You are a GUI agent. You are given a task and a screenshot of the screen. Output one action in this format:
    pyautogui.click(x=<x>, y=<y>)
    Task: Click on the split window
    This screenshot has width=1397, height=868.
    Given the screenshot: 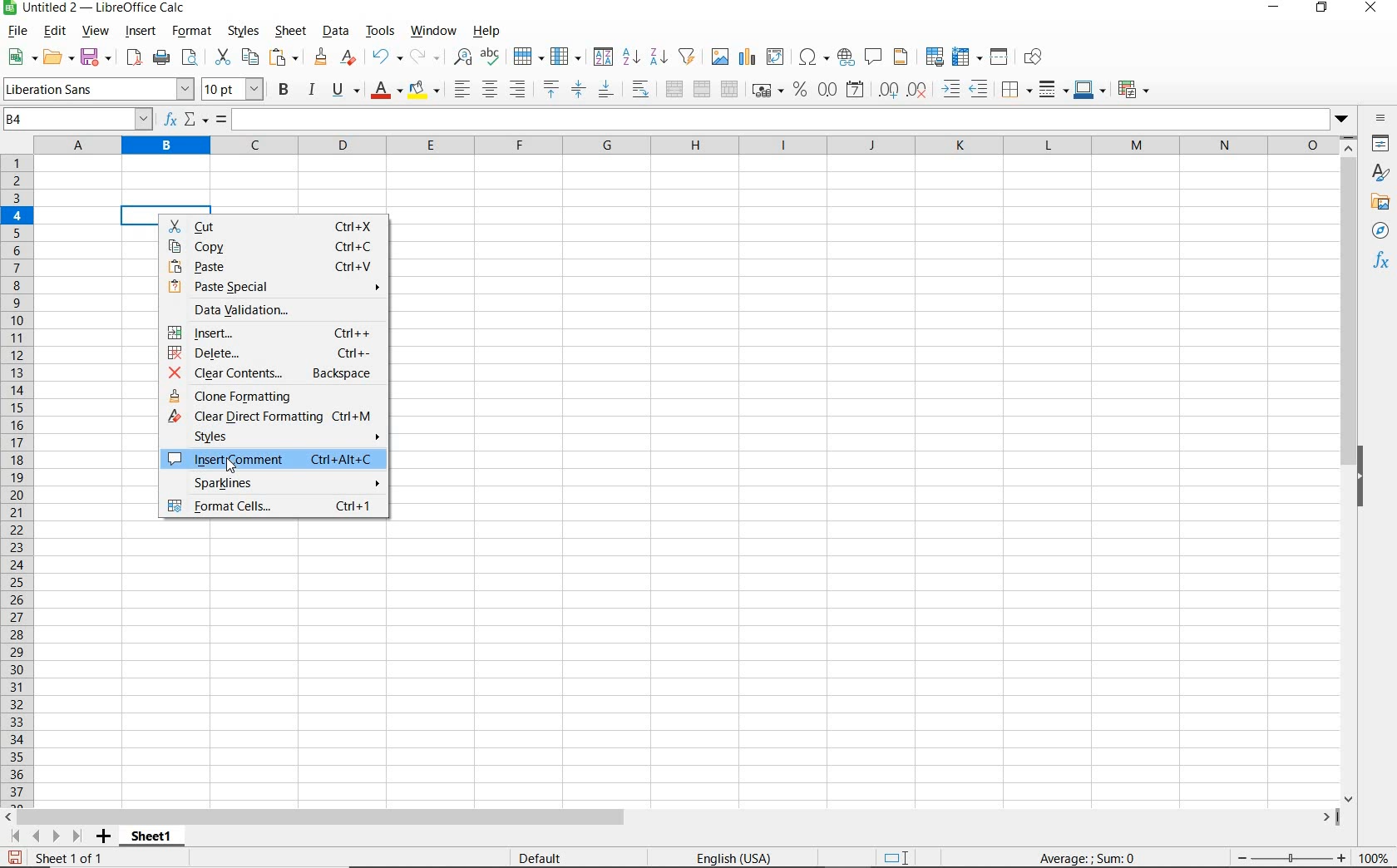 What is the action you would take?
    pyautogui.click(x=1000, y=57)
    